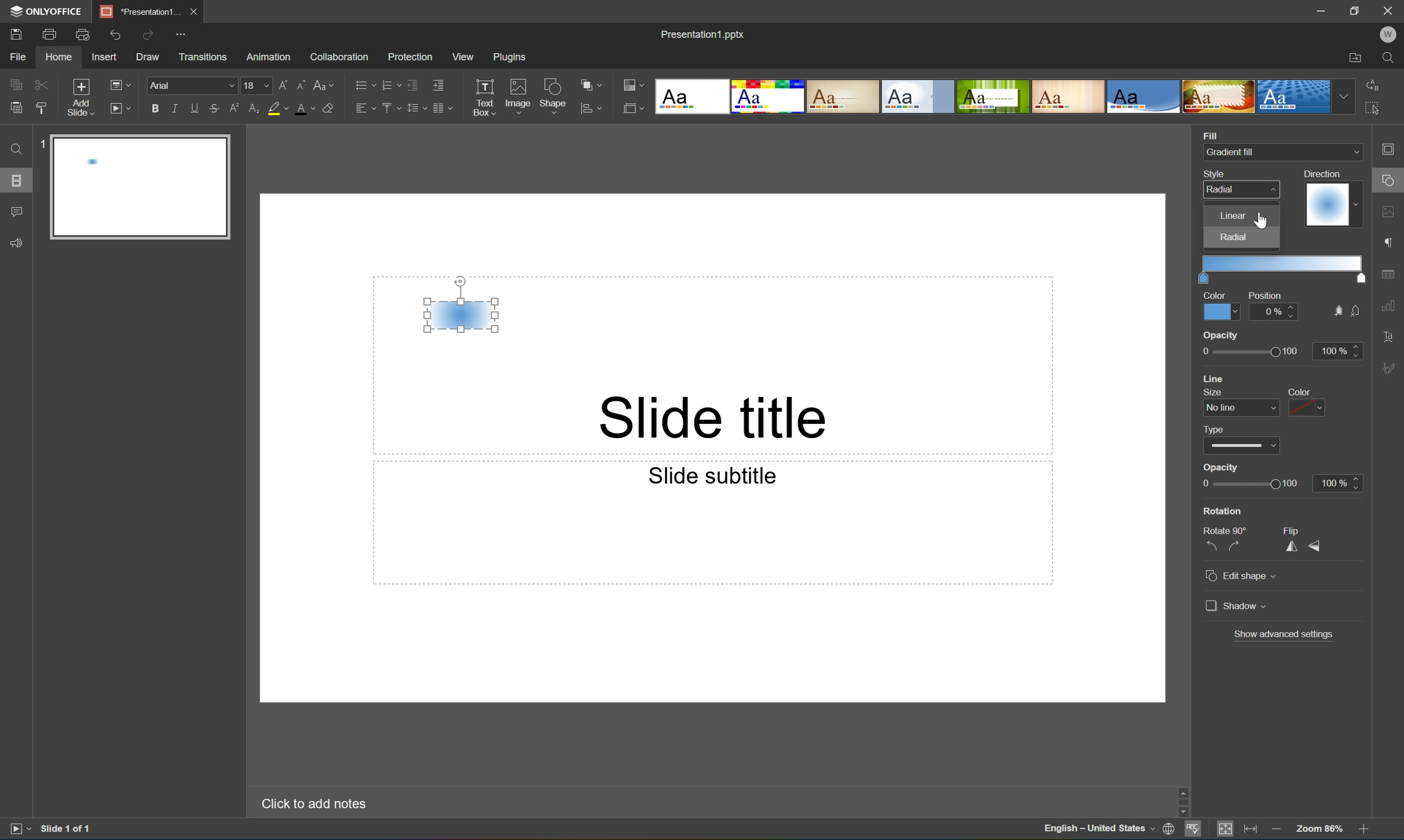  What do you see at coordinates (149, 36) in the screenshot?
I see `Redo` at bounding box center [149, 36].